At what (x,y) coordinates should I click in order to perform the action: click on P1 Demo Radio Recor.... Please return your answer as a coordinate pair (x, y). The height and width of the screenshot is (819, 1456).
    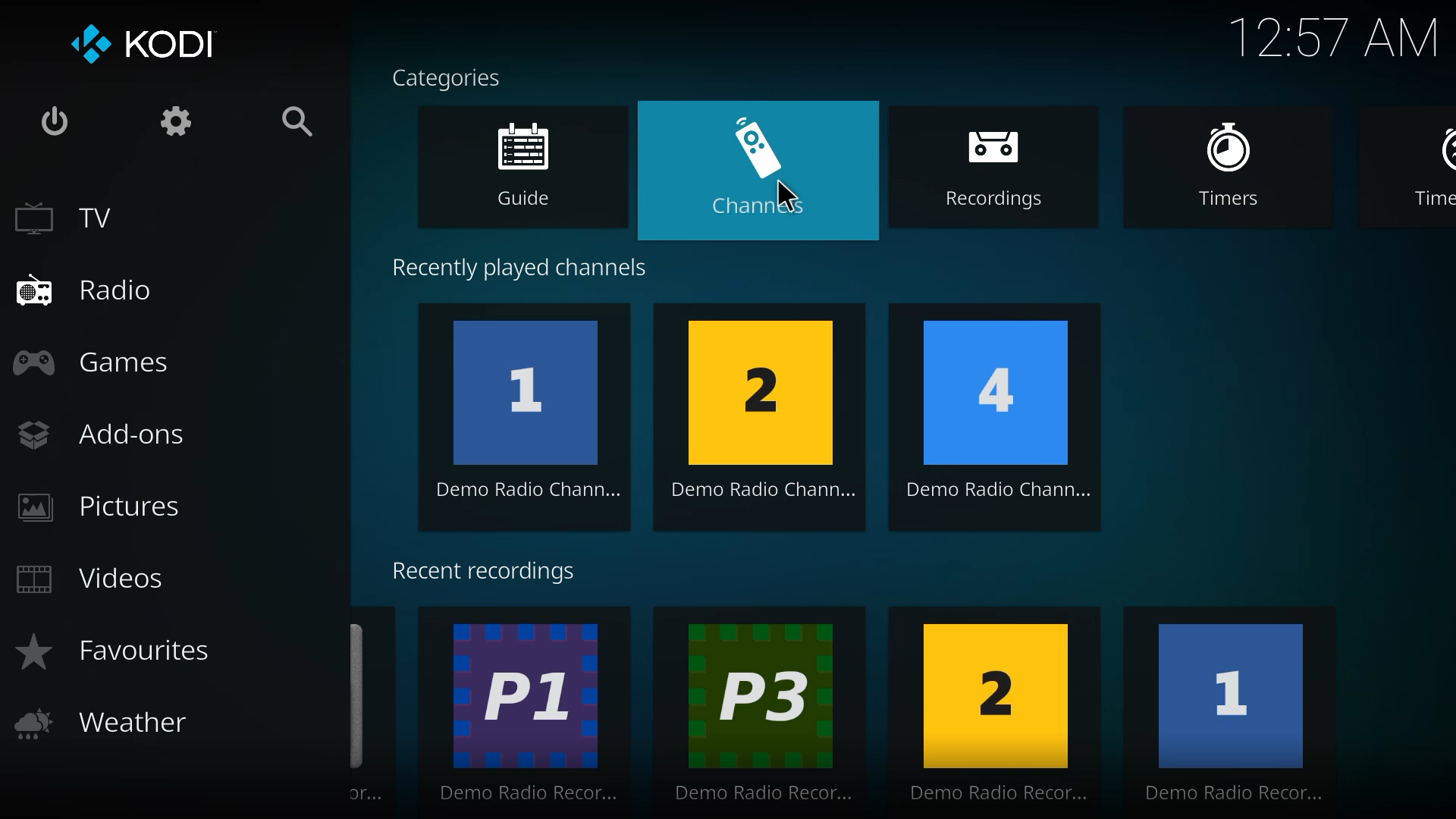
    Looking at the image, I should click on (530, 711).